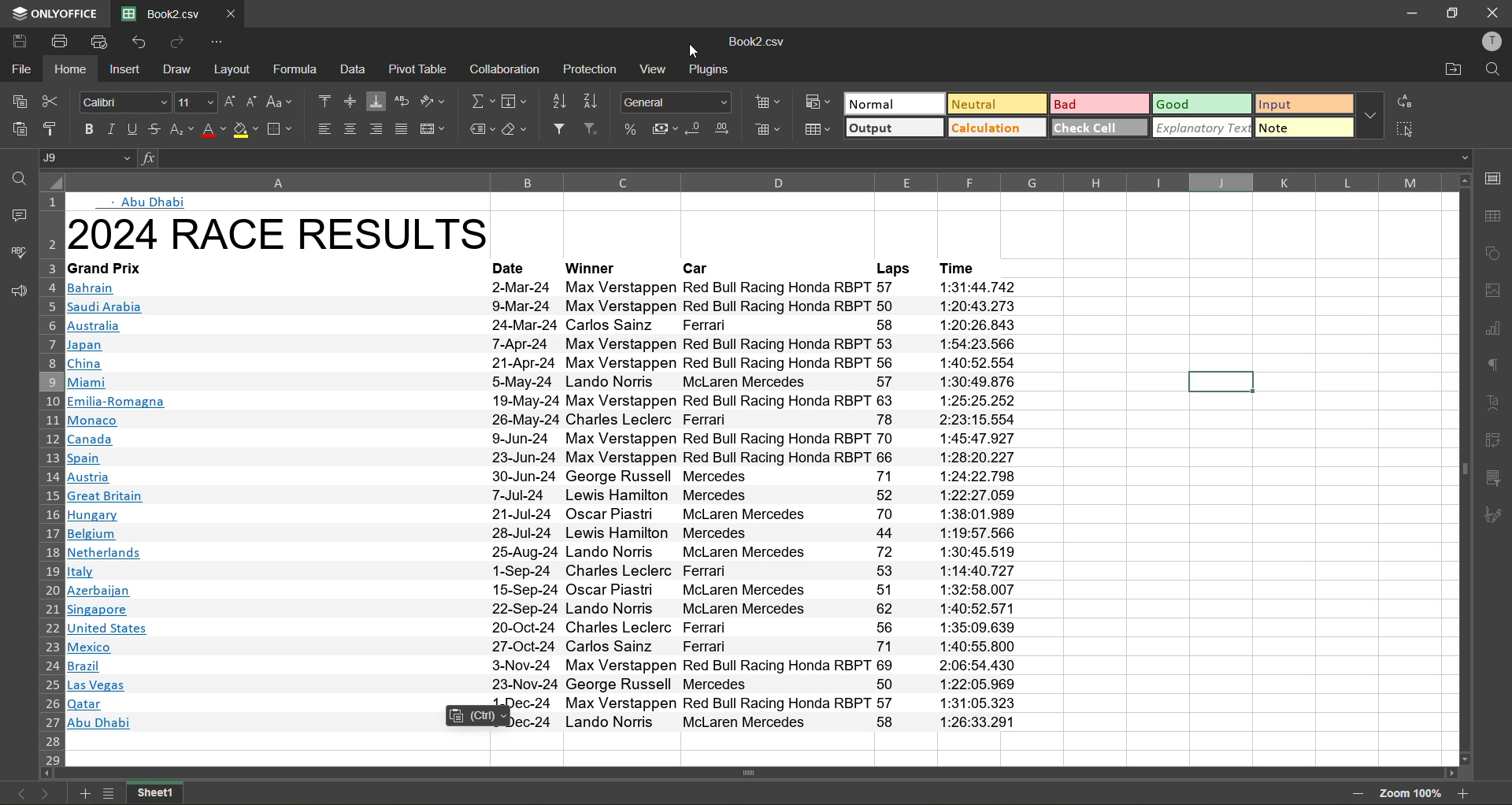 The height and width of the screenshot is (805, 1512). Describe the element at coordinates (1370, 115) in the screenshot. I see `more options` at that location.